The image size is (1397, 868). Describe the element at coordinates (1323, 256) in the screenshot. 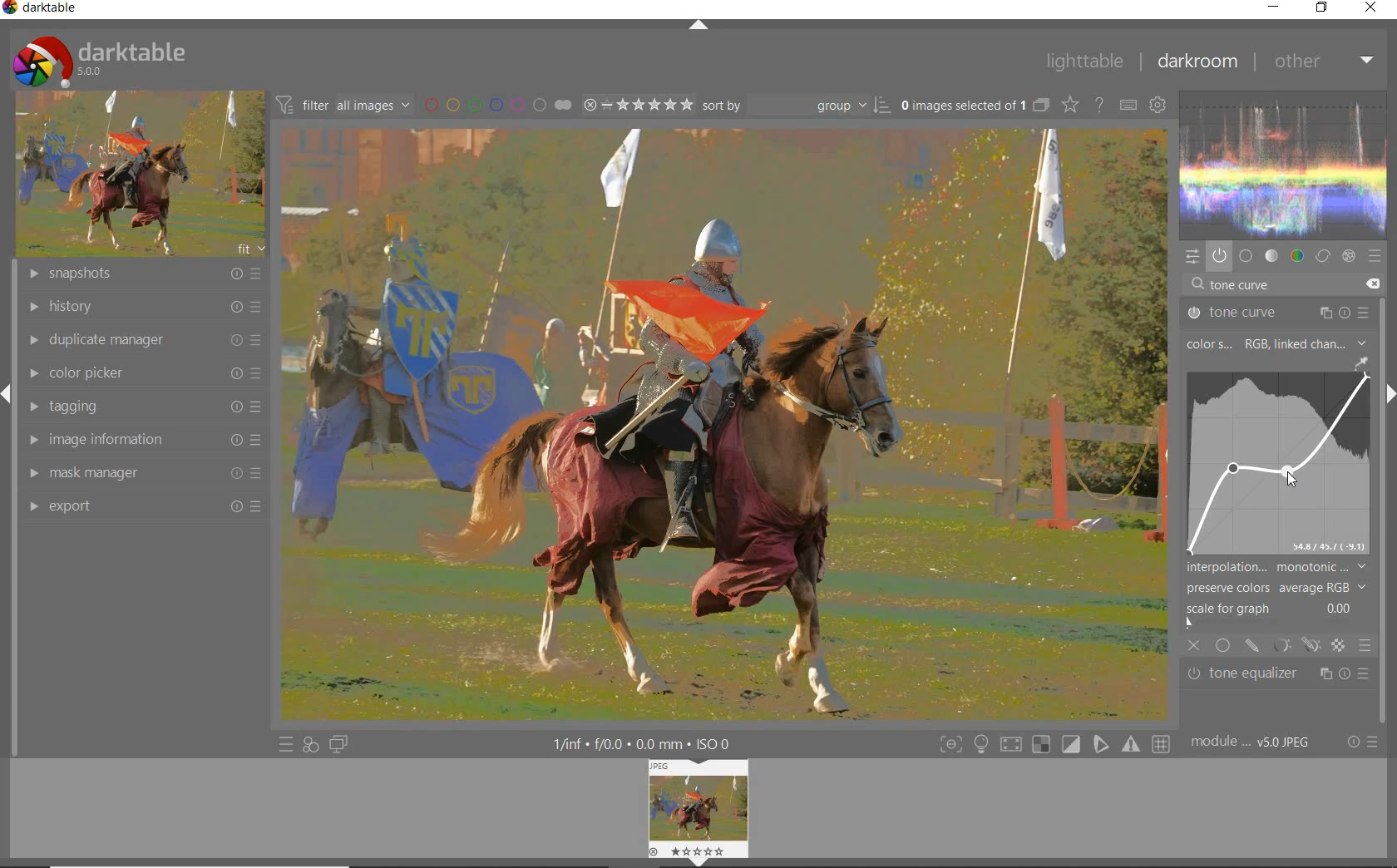

I see `correct` at that location.